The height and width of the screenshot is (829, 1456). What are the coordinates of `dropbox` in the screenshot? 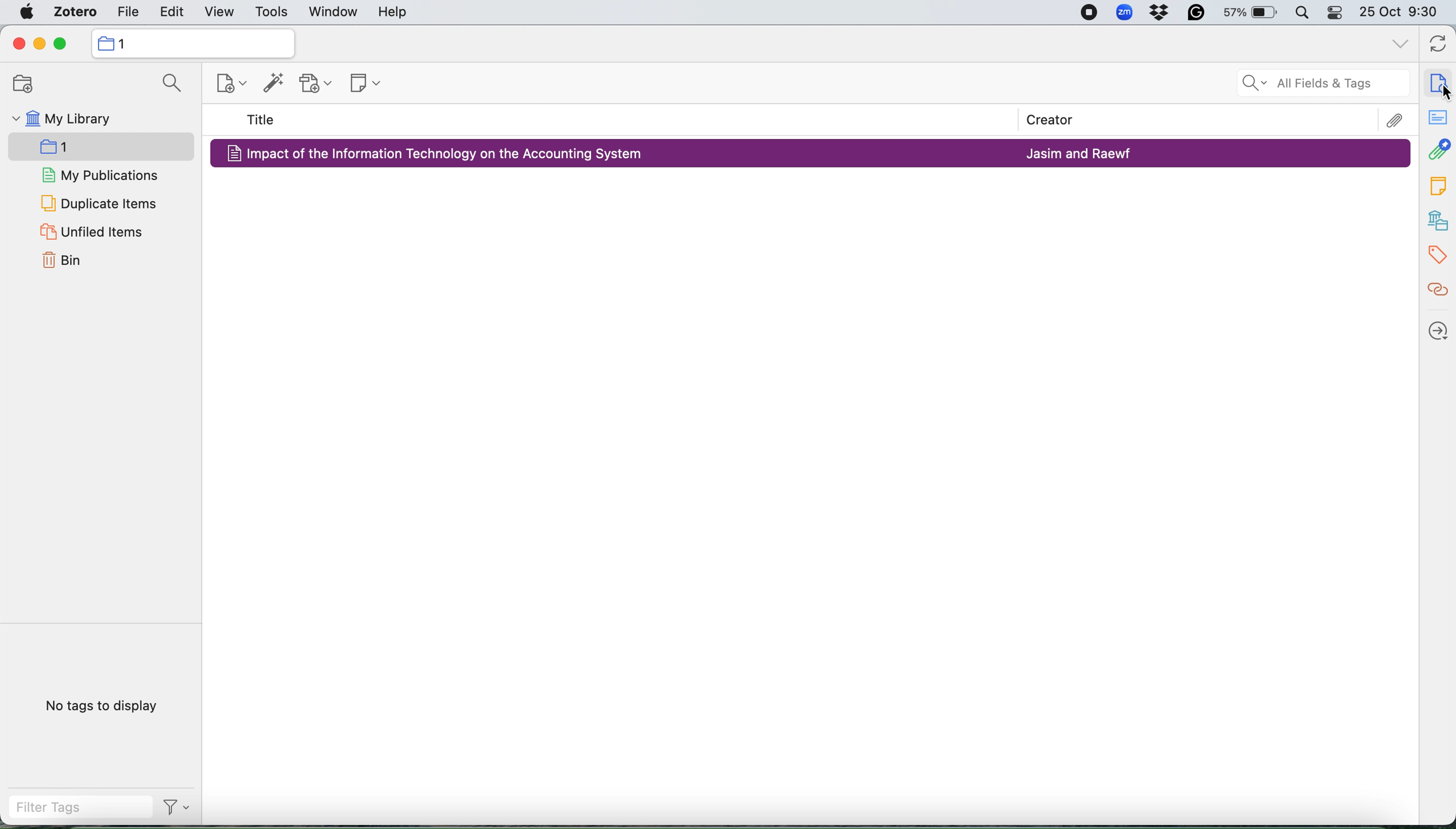 It's located at (1162, 14).